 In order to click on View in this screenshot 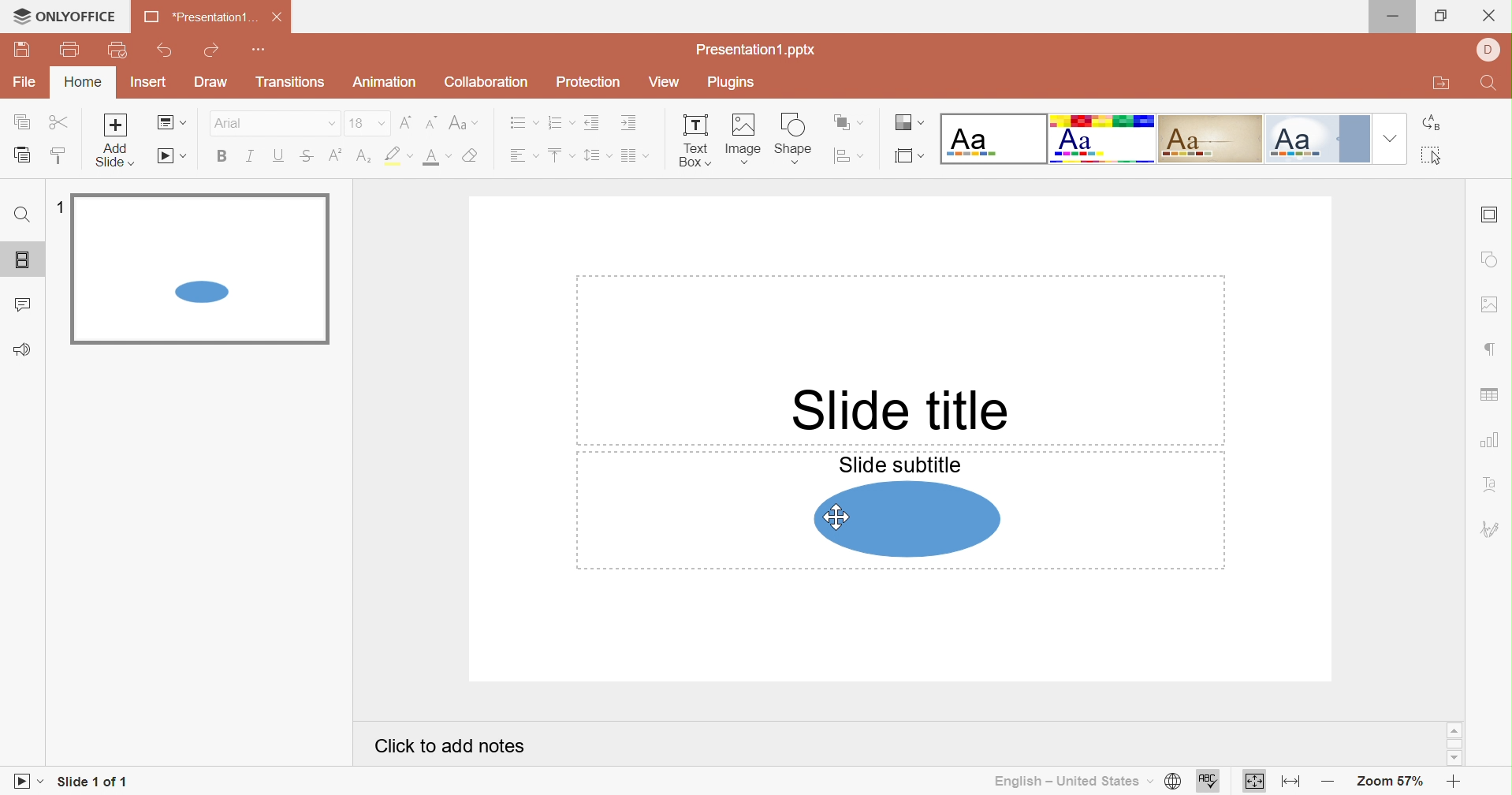, I will do `click(665, 84)`.